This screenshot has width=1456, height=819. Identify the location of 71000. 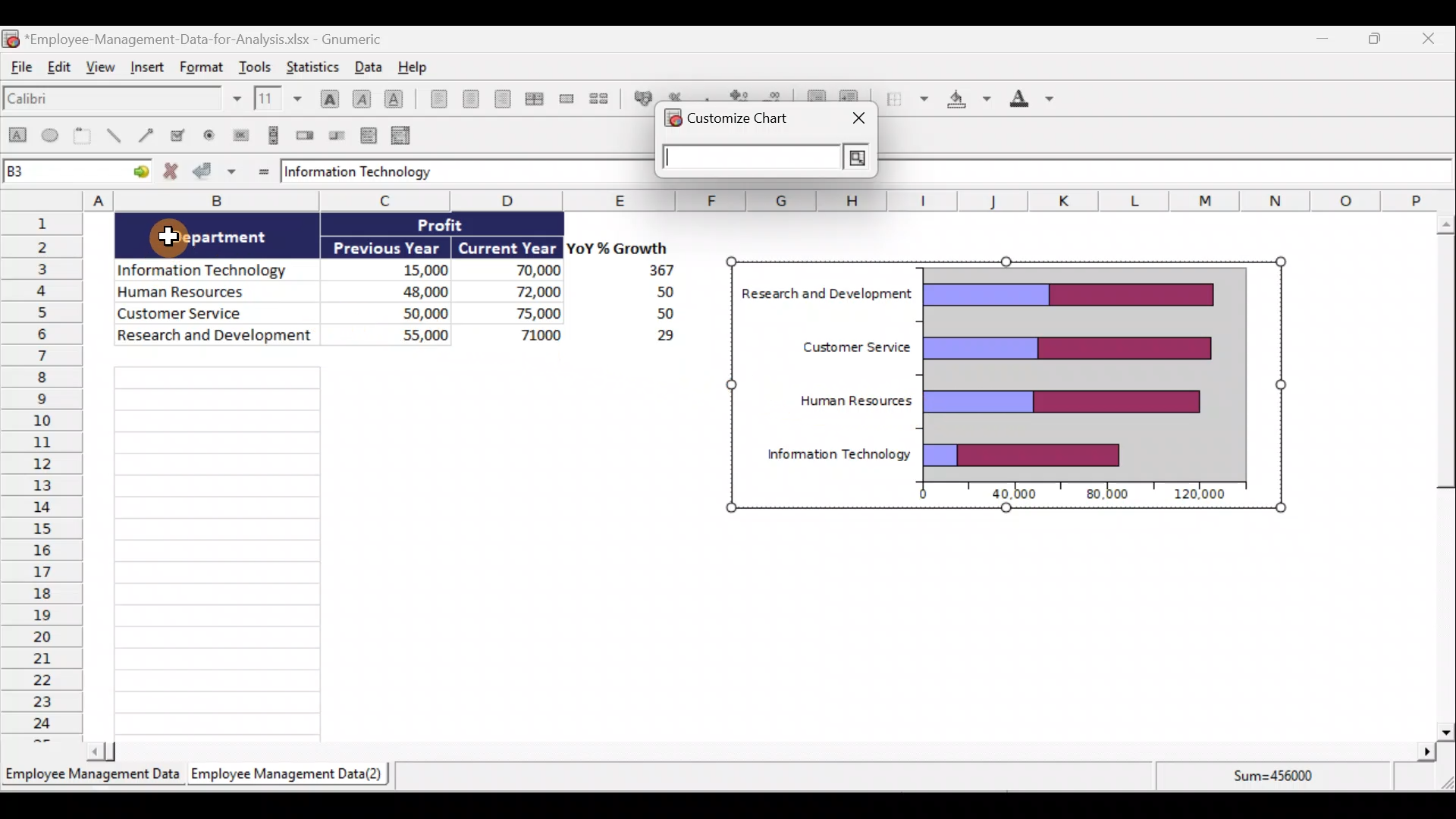
(535, 334).